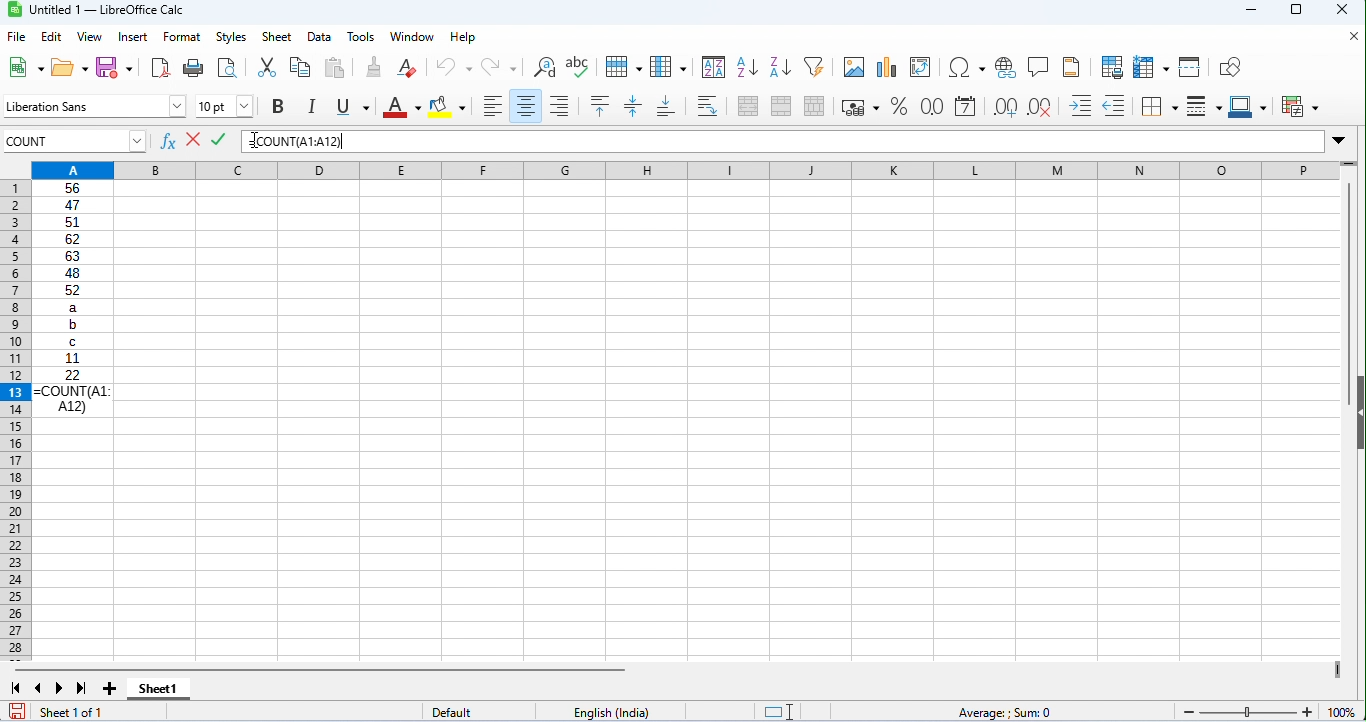  What do you see at coordinates (524, 106) in the screenshot?
I see `align center` at bounding box center [524, 106].